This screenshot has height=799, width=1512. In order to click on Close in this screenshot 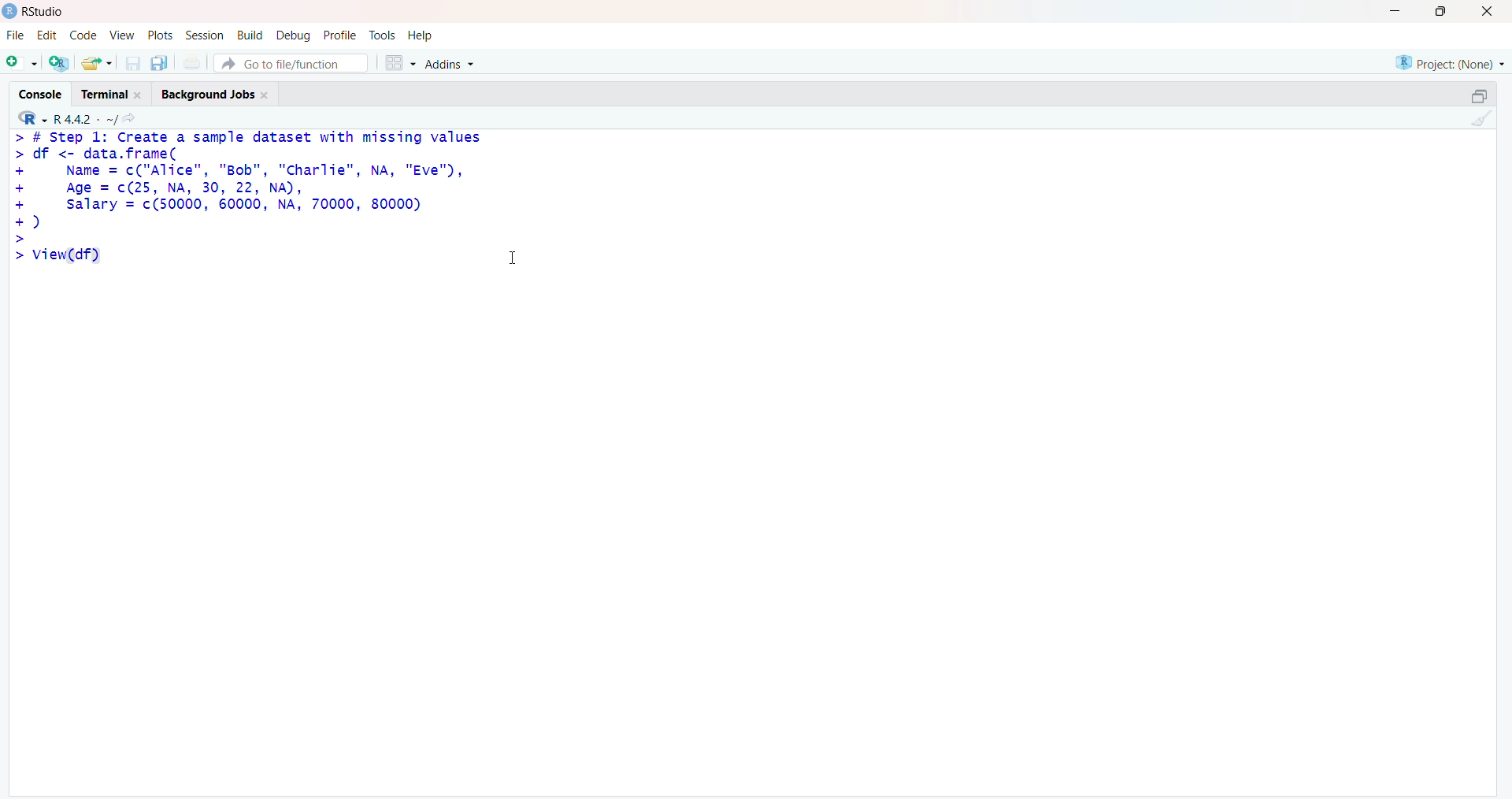, I will do `click(1492, 13)`.